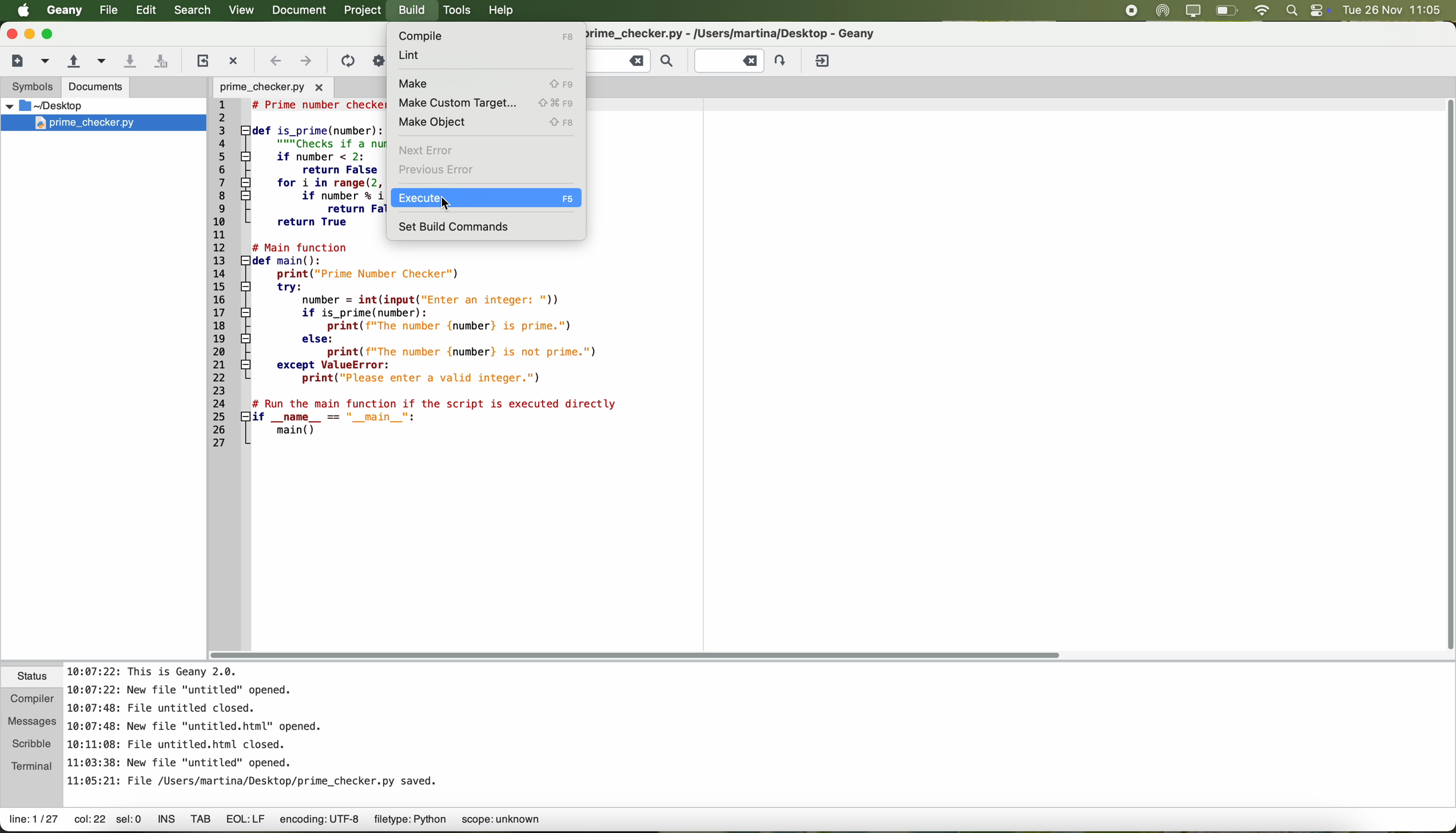 The image size is (1456, 833). What do you see at coordinates (63, 11) in the screenshot?
I see `Geany` at bounding box center [63, 11].